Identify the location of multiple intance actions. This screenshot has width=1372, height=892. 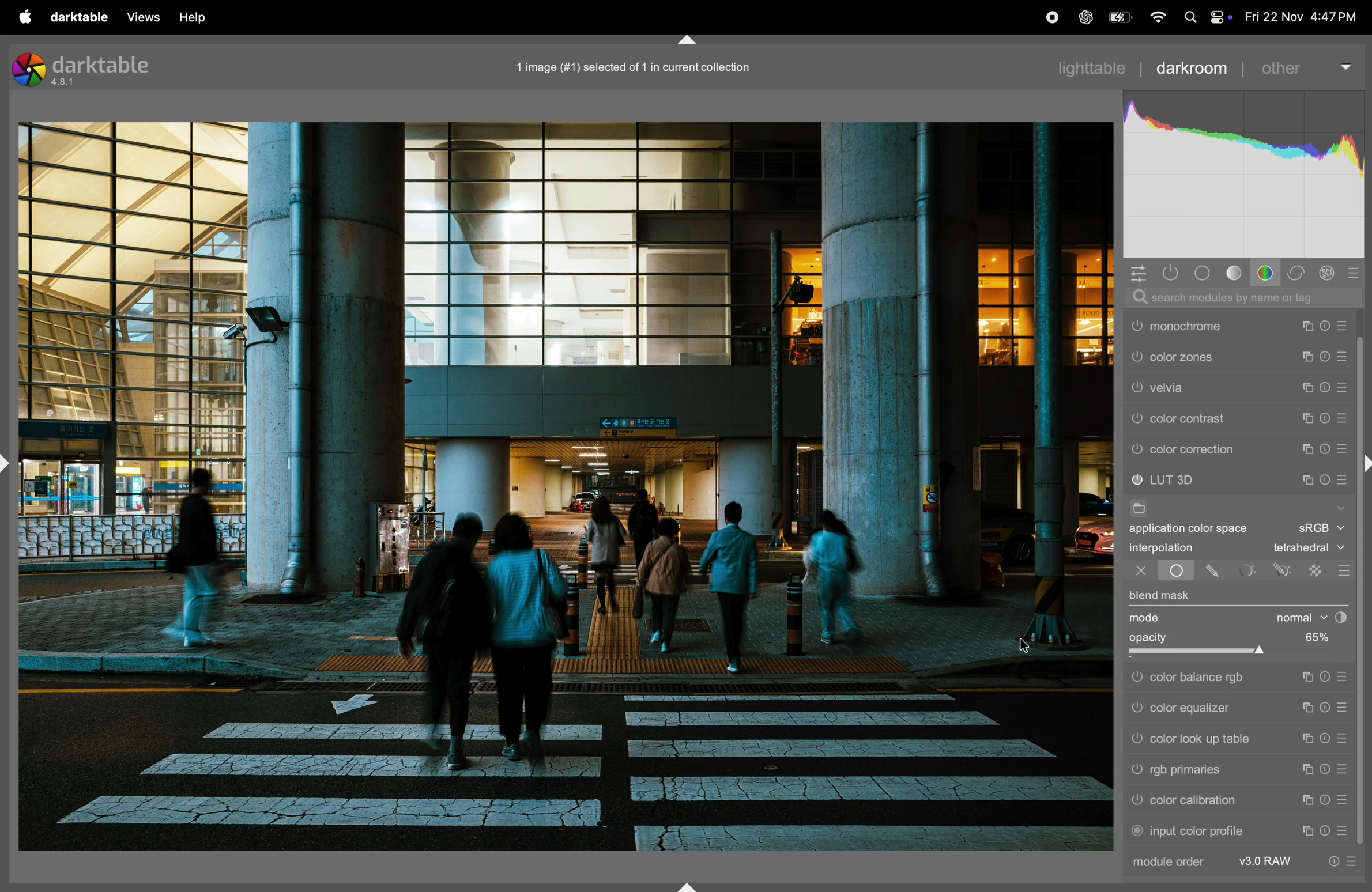
(1304, 475).